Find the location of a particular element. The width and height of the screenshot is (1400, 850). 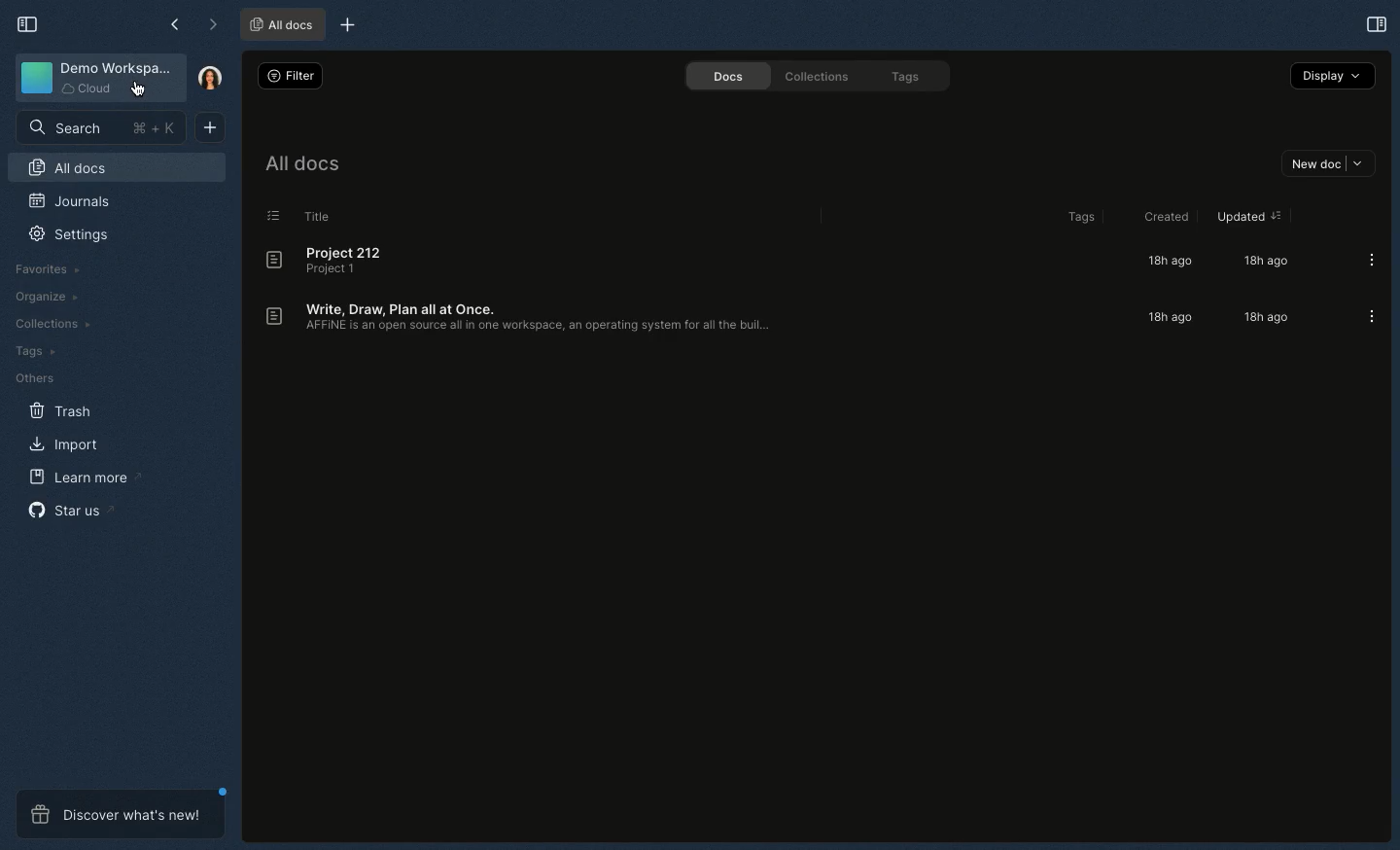

Discover what's new! is located at coordinates (119, 814).